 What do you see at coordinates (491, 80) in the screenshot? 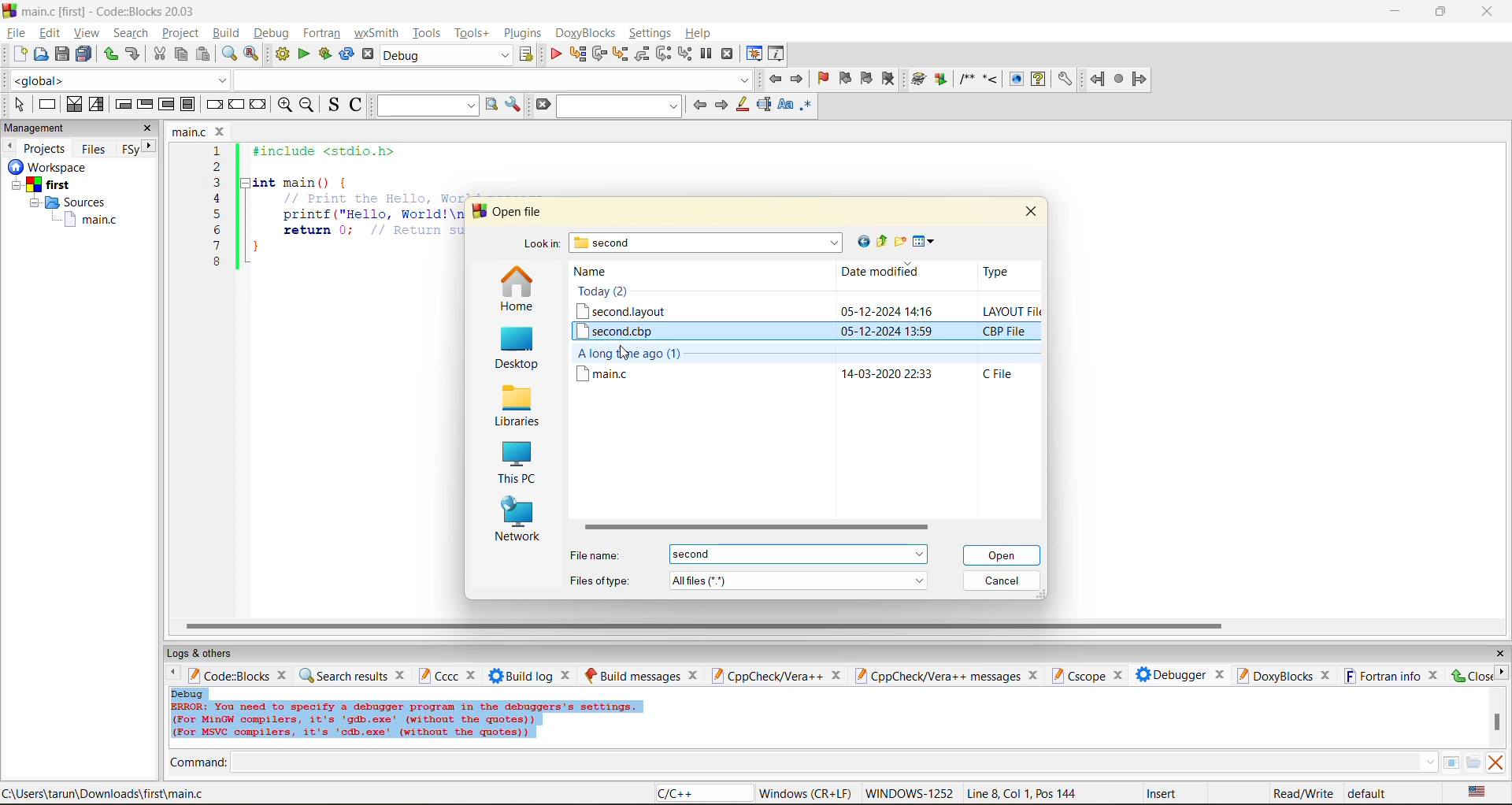
I see `dropdown` at bounding box center [491, 80].